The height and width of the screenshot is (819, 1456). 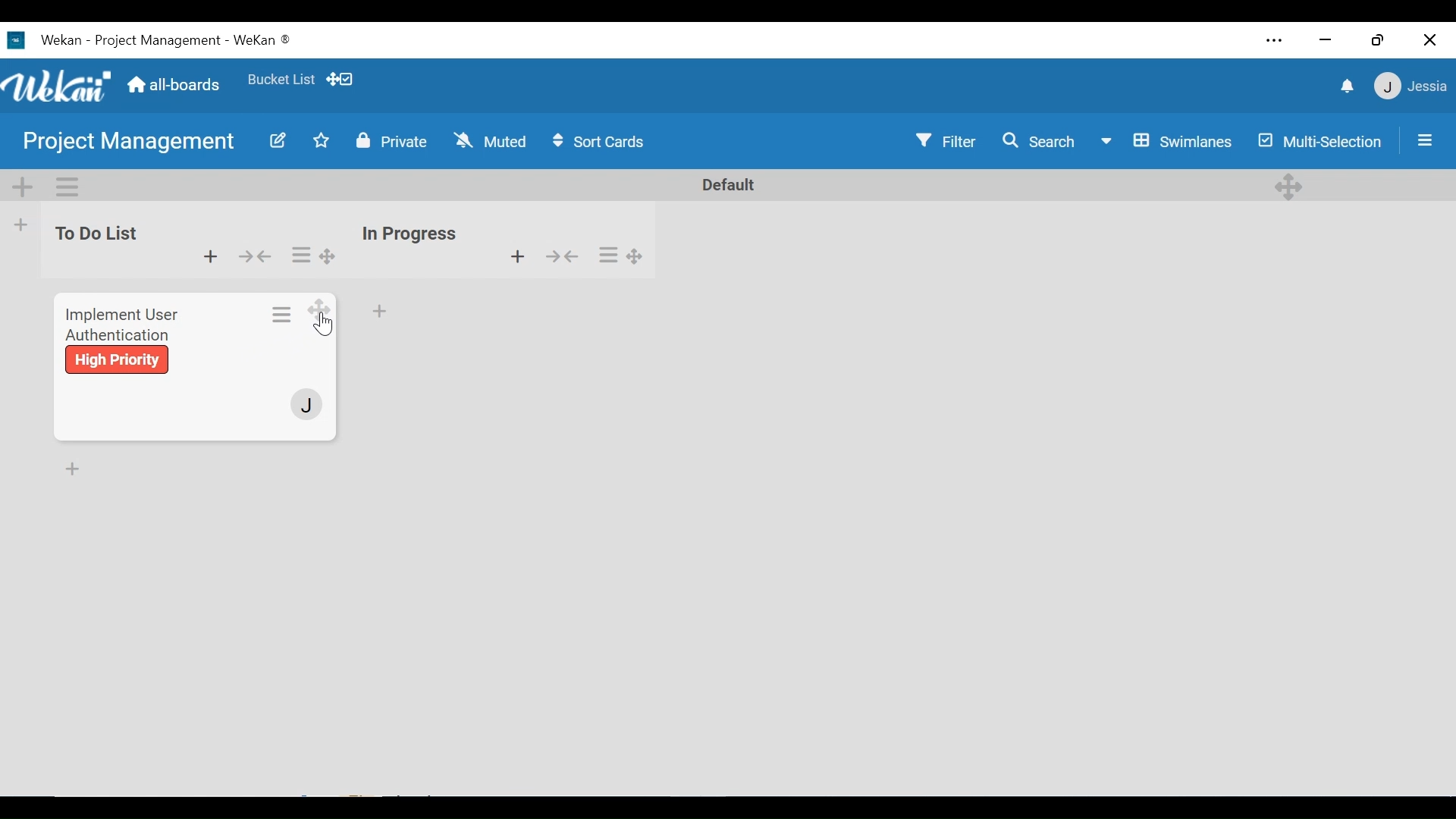 I want to click on Multi-Selection, so click(x=1323, y=142).